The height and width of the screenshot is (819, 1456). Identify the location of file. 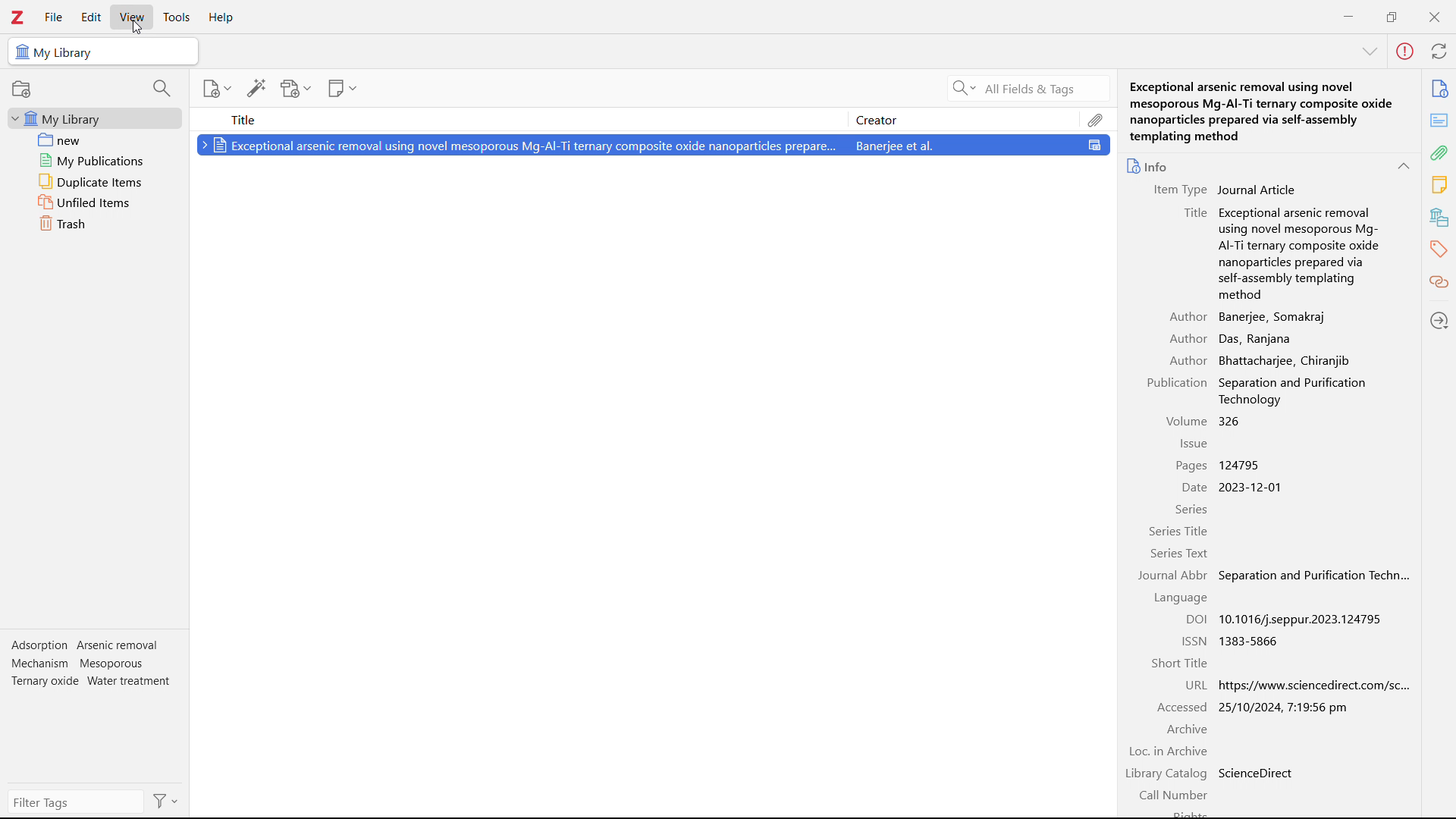
(54, 17).